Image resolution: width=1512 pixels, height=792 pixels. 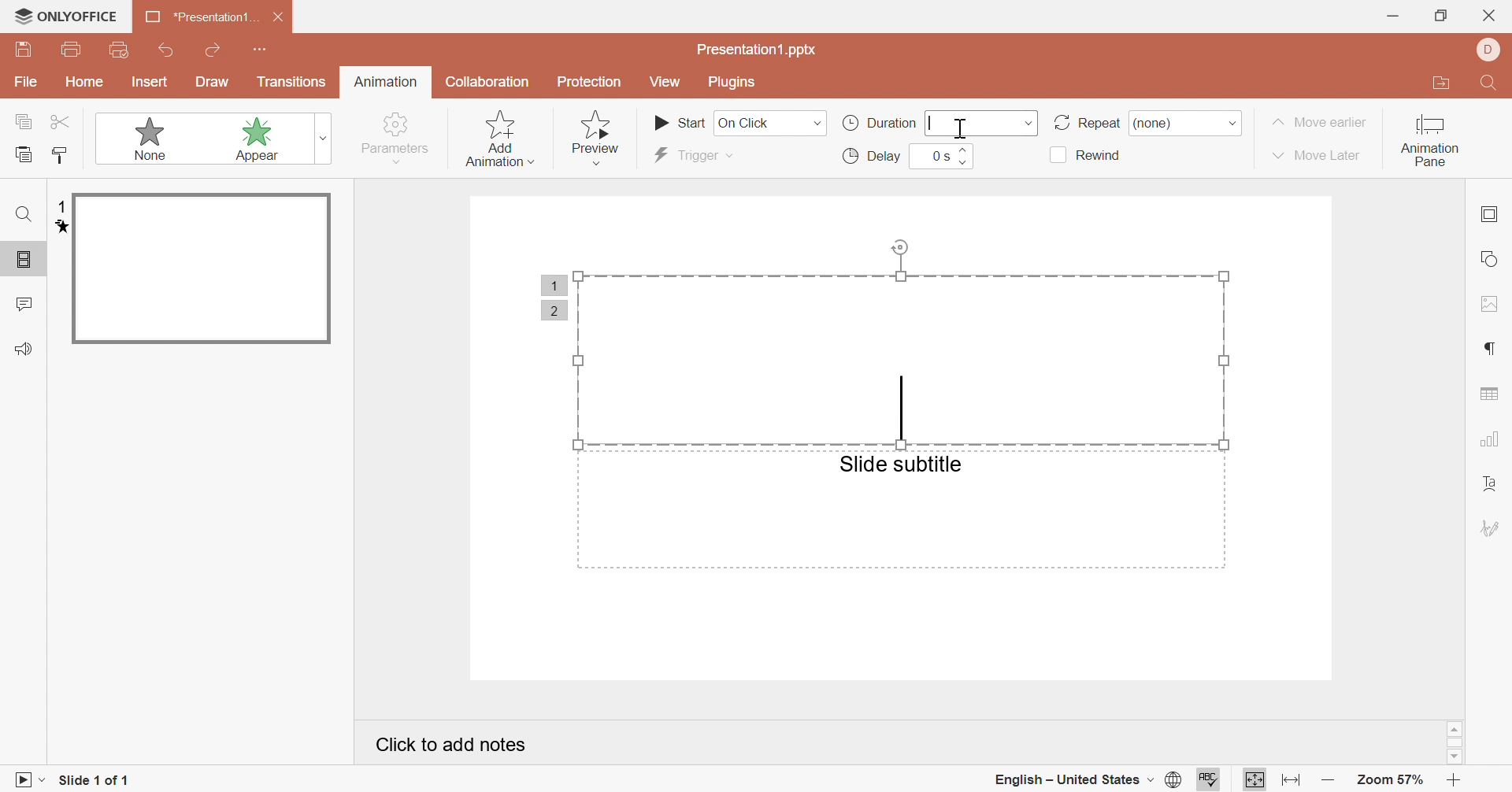 What do you see at coordinates (1489, 393) in the screenshot?
I see `table settings` at bounding box center [1489, 393].